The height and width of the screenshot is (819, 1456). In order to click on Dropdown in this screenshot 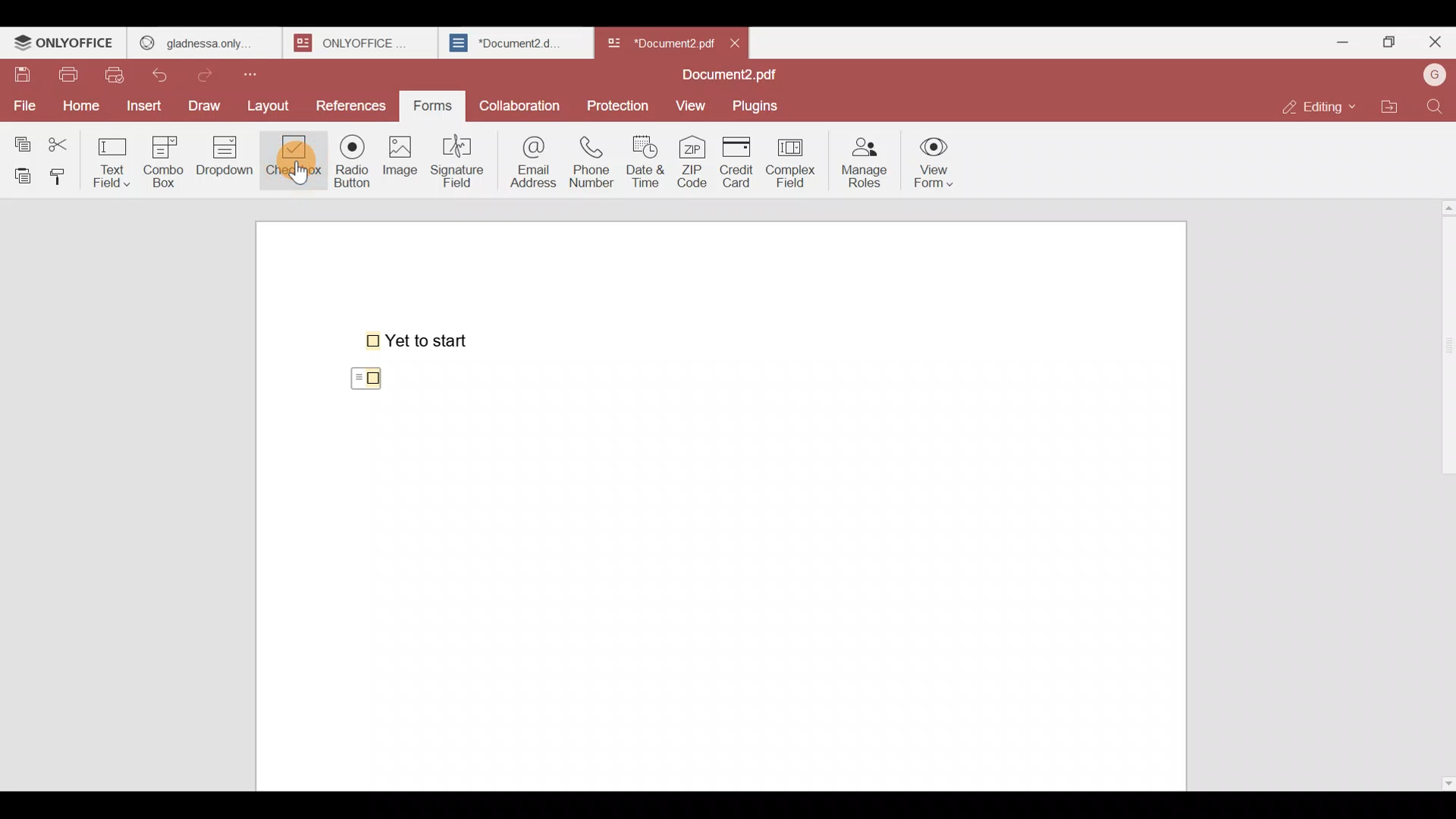, I will do `click(227, 162)`.